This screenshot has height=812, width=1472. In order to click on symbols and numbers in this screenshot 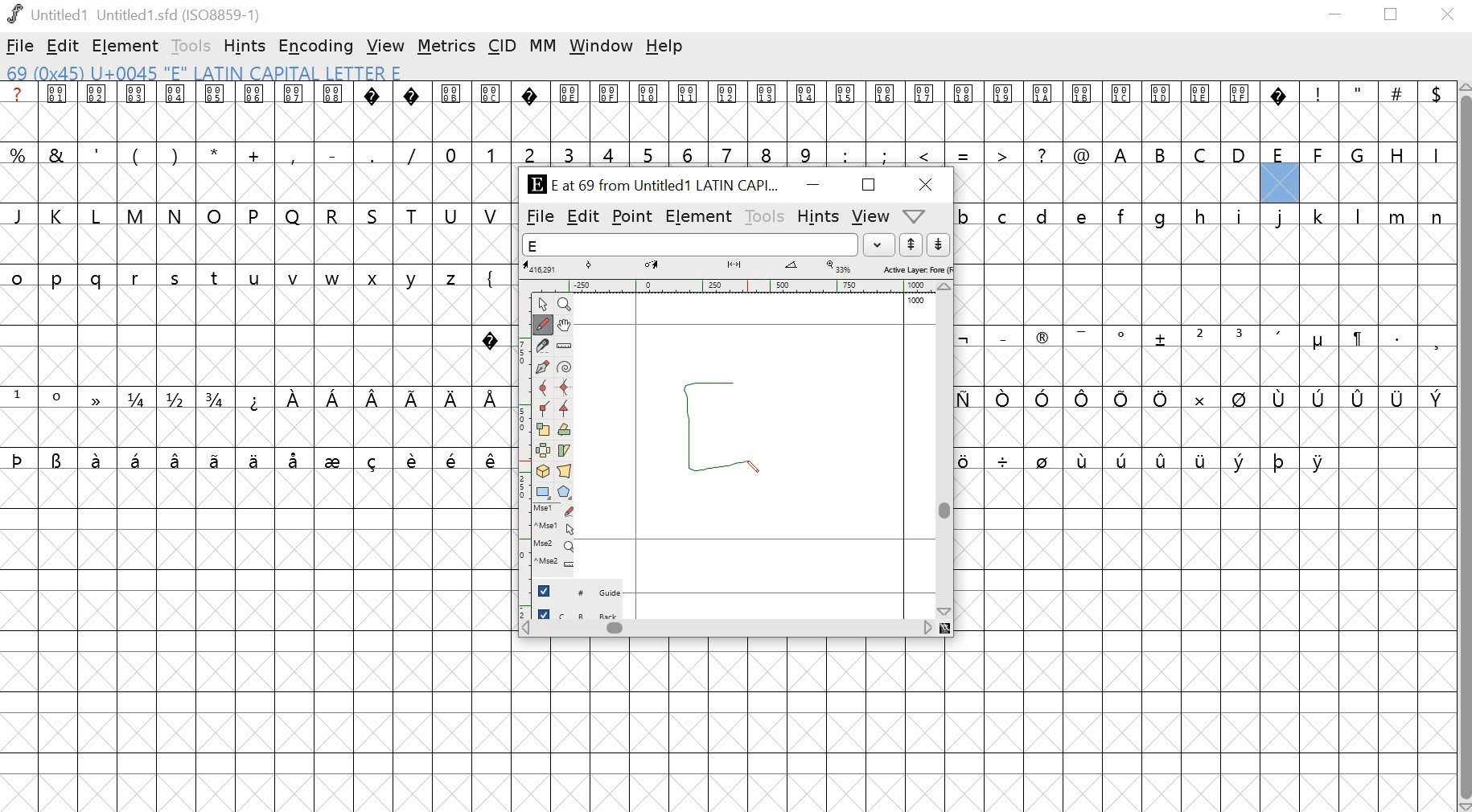, I will do `click(550, 153)`.